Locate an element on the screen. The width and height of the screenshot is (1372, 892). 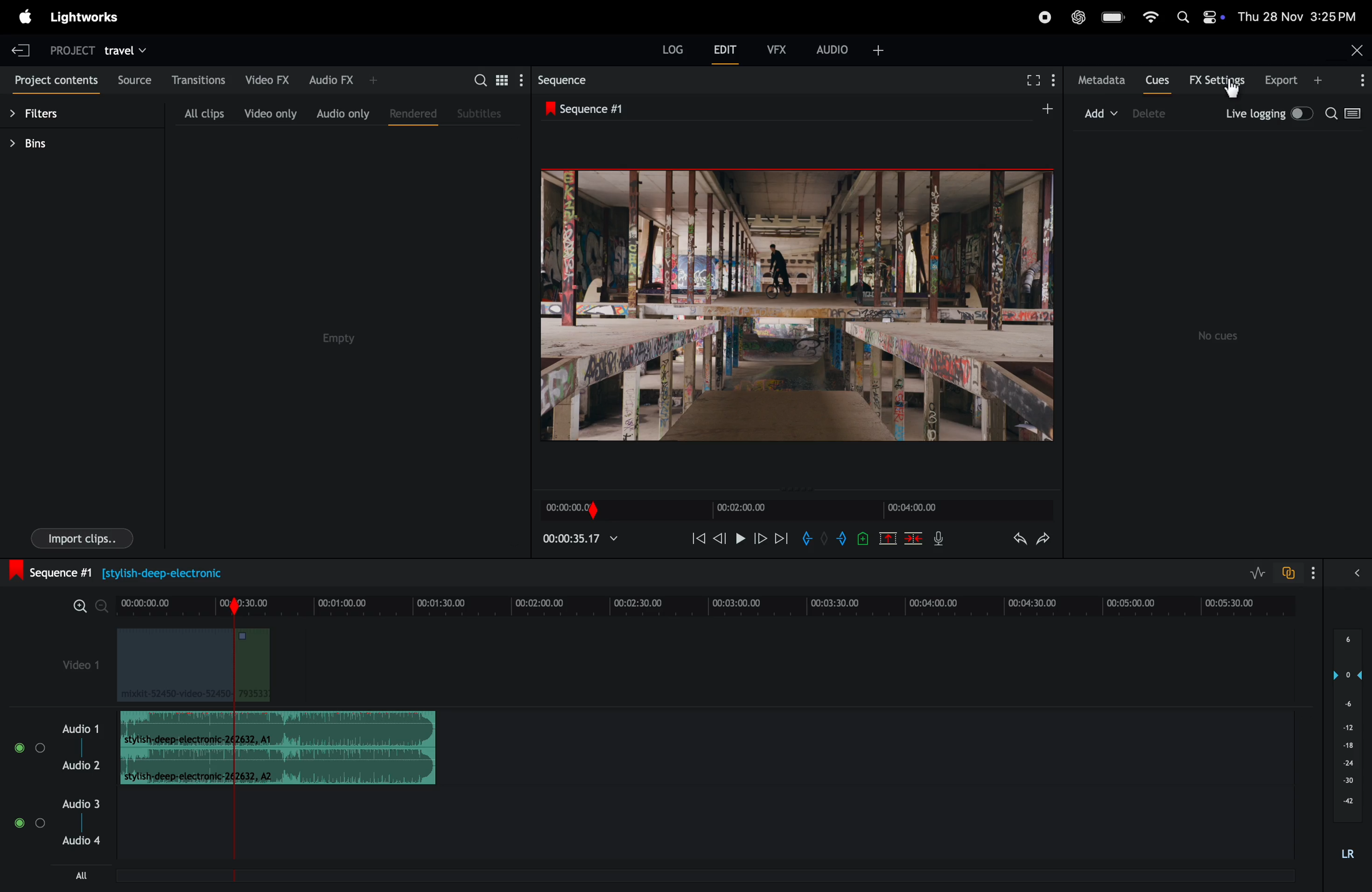
close is located at coordinates (1355, 50).